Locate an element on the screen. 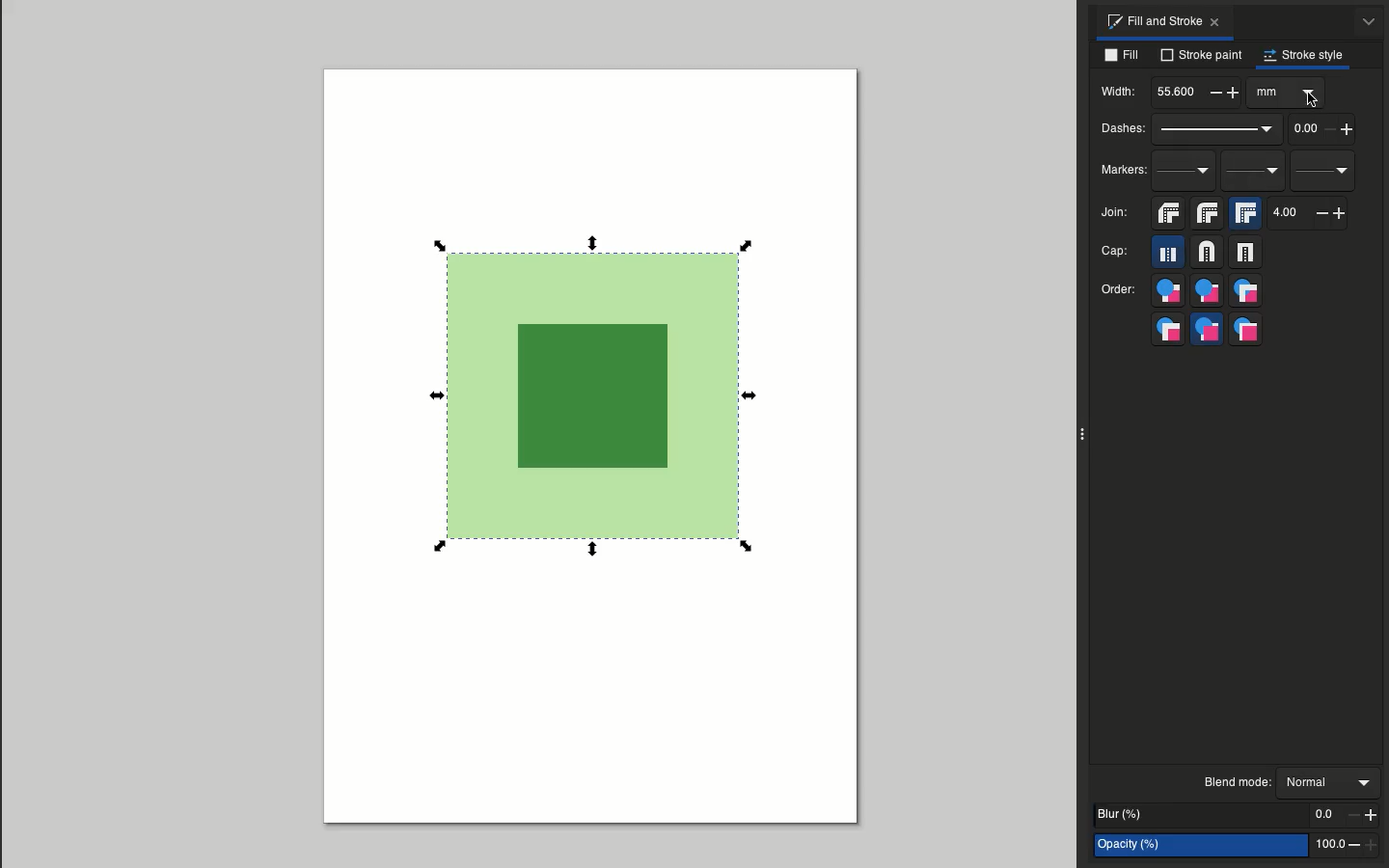 The height and width of the screenshot is (868, 1389). Width is located at coordinates (1117, 92).